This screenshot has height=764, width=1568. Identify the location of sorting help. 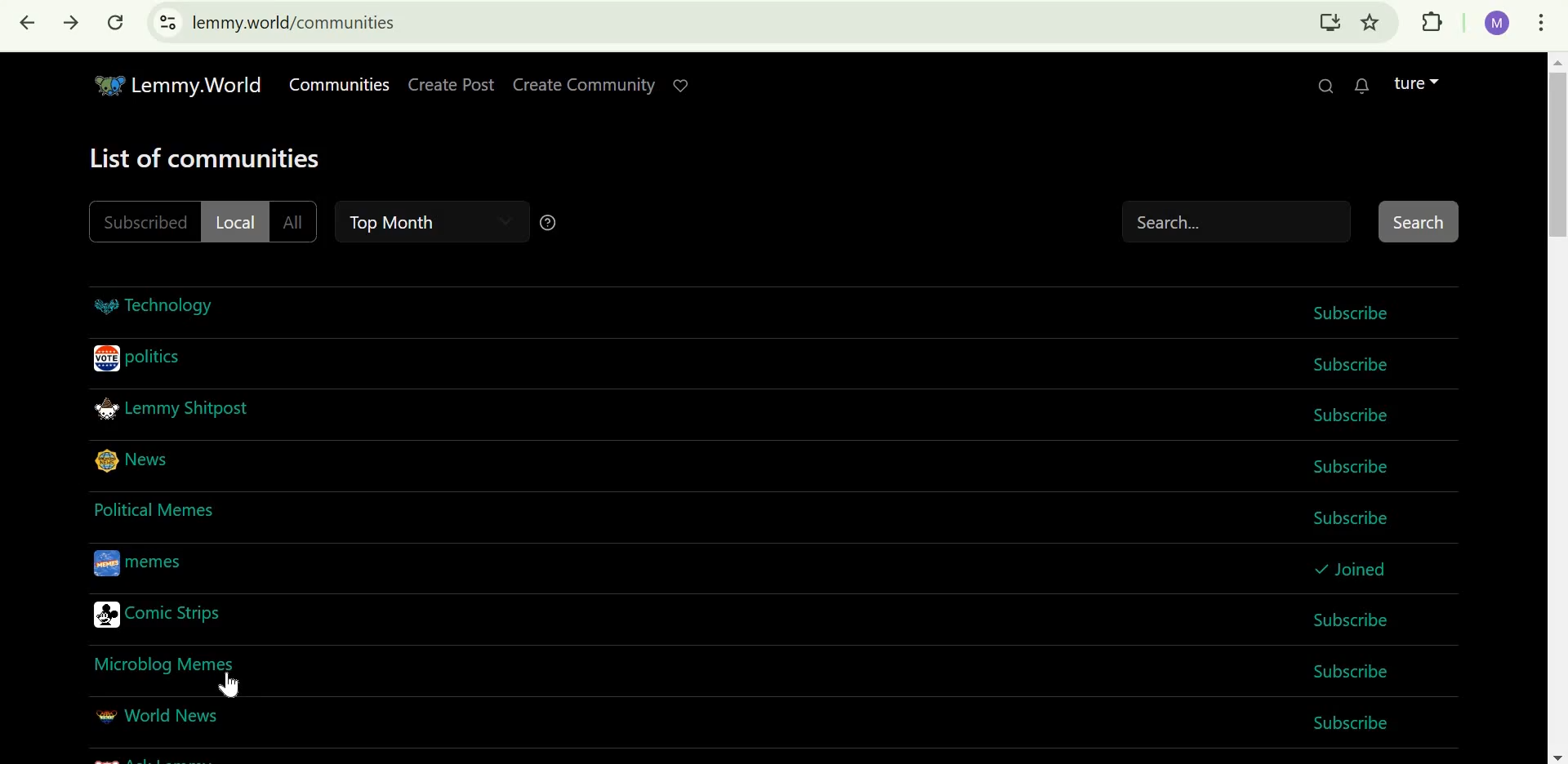
(549, 222).